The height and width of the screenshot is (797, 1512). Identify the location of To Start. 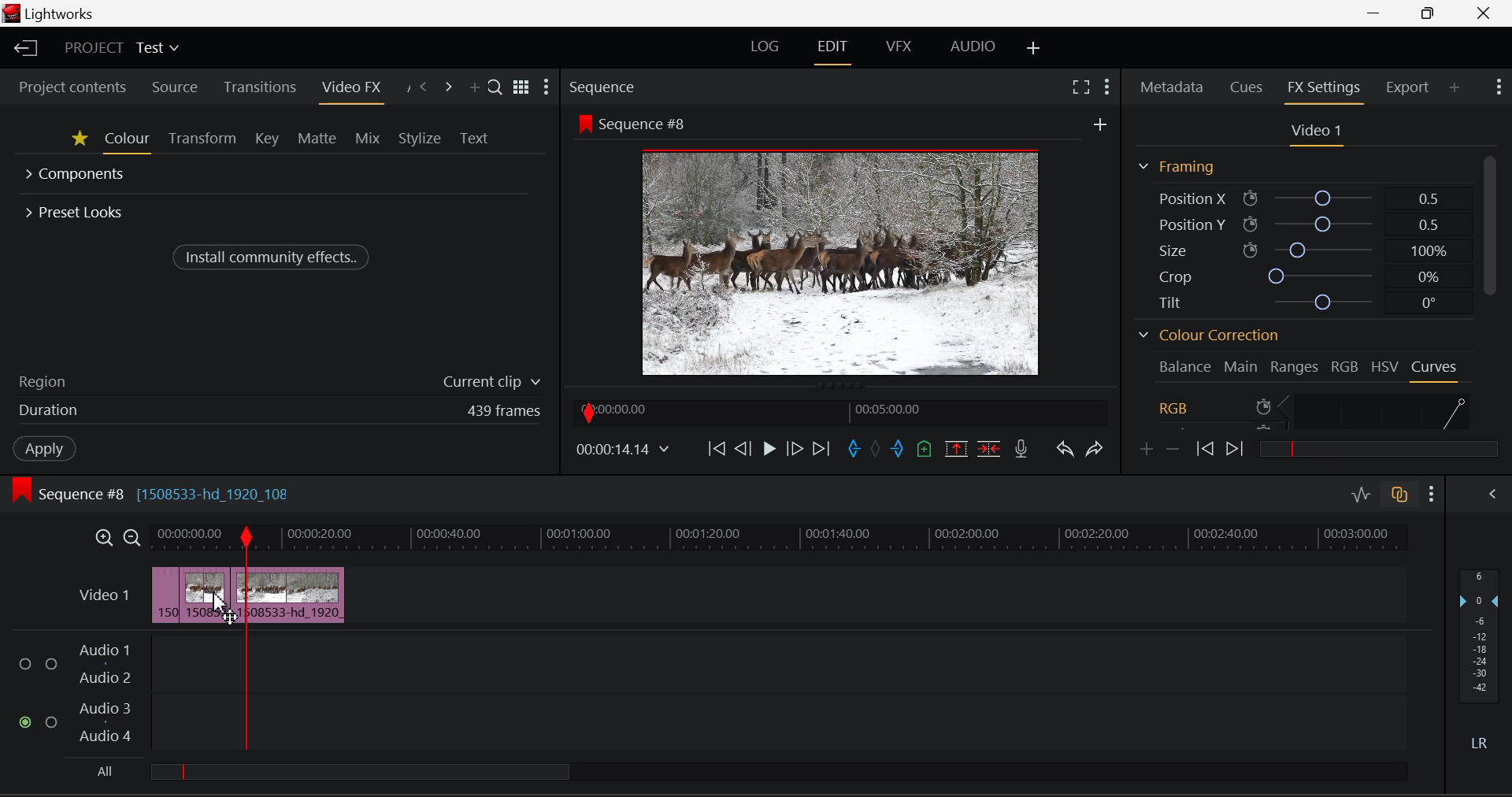
(718, 450).